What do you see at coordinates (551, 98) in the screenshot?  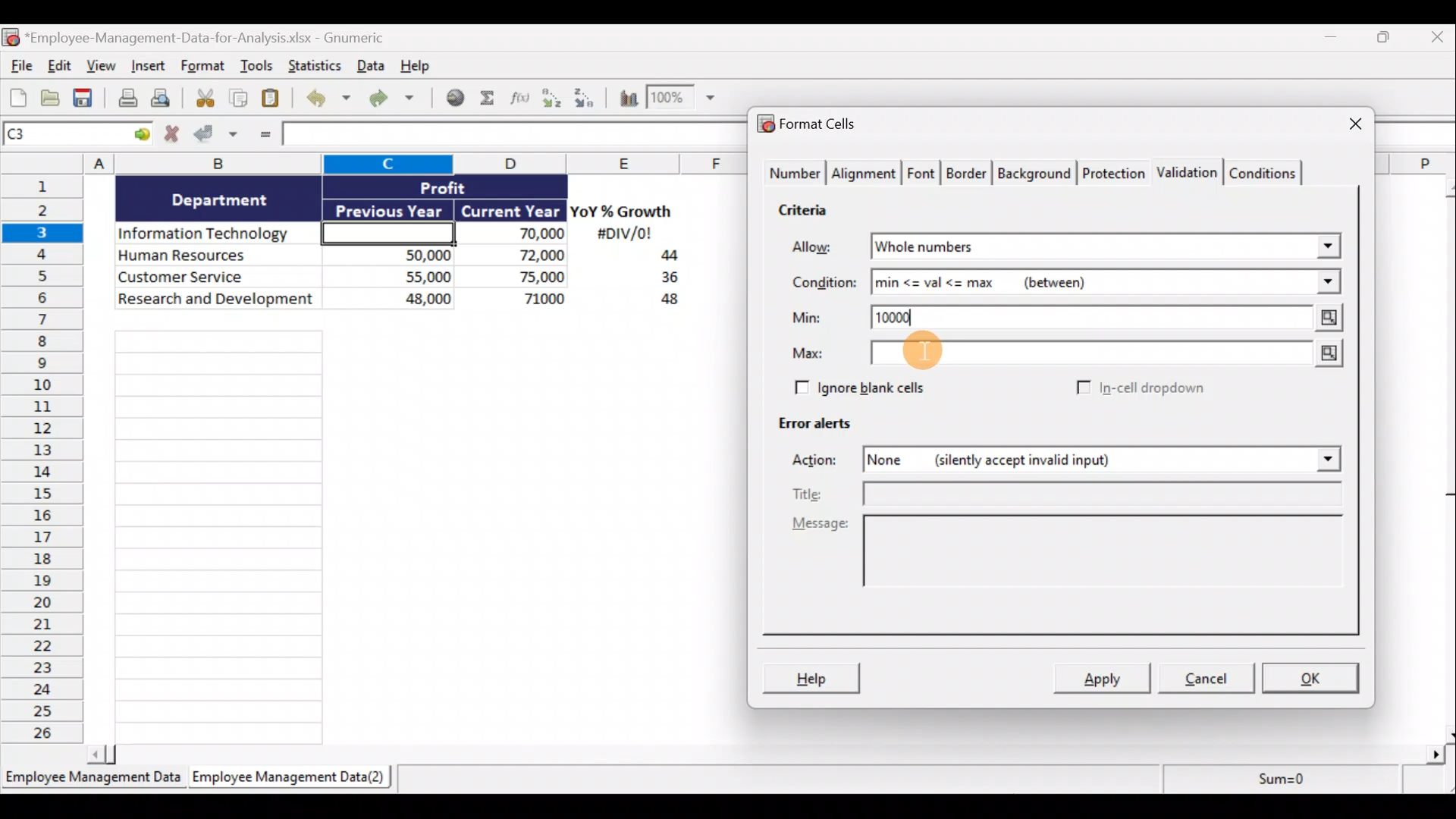 I see `Sort ascending` at bounding box center [551, 98].